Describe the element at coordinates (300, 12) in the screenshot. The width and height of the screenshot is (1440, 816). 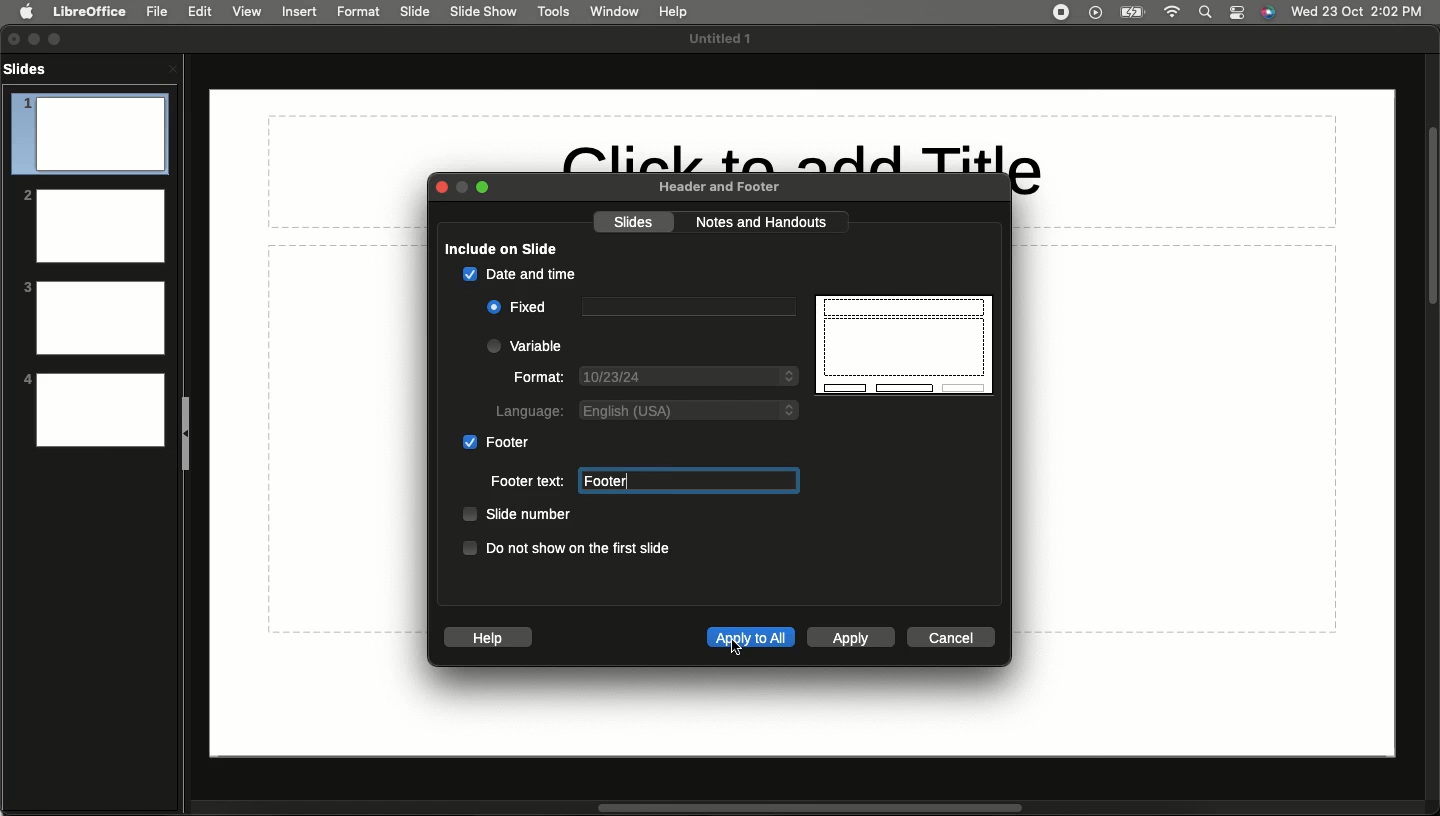
I see `Insert` at that location.